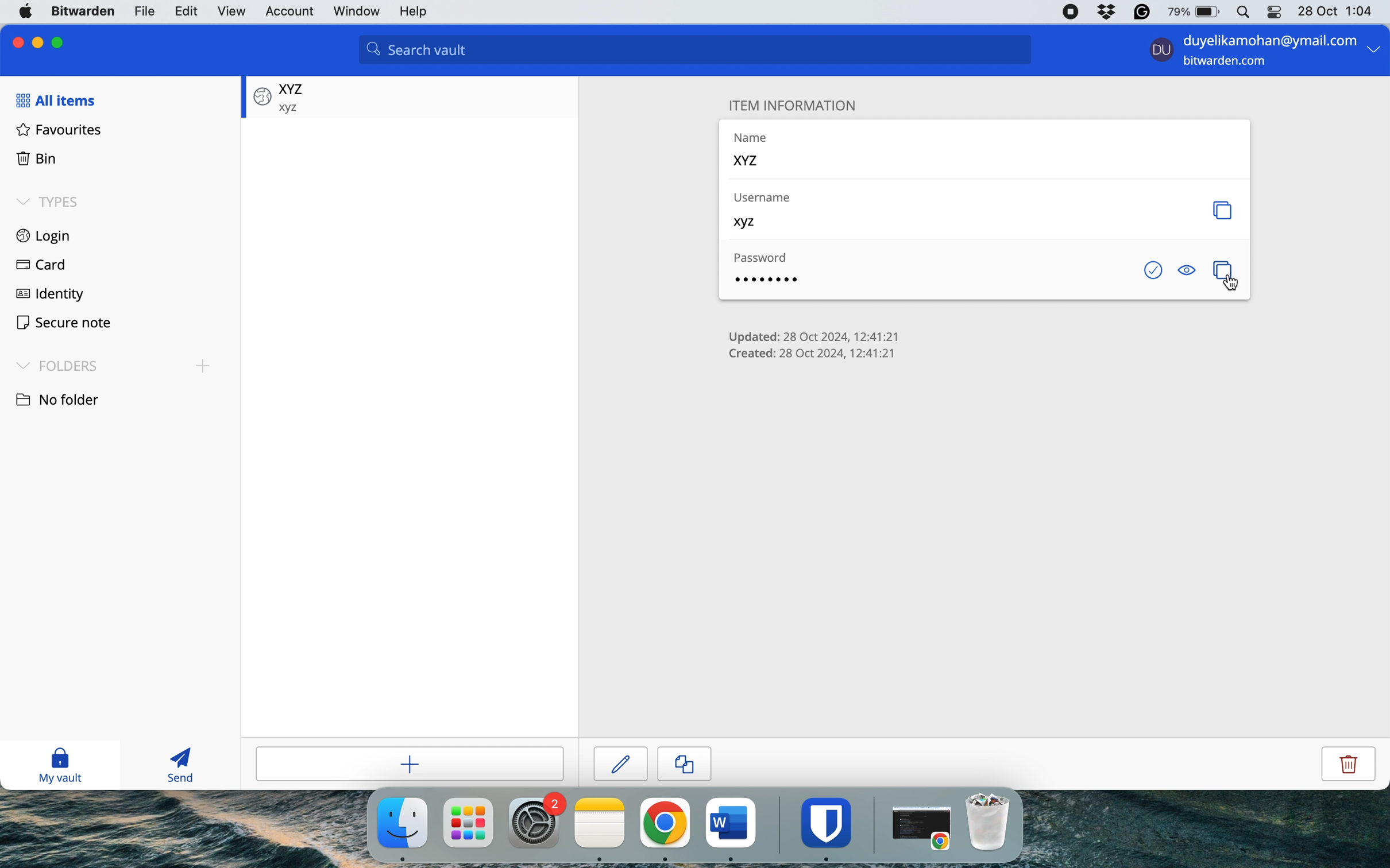 The image size is (1390, 868). Describe the element at coordinates (1187, 270) in the screenshot. I see `toggle visibility` at that location.